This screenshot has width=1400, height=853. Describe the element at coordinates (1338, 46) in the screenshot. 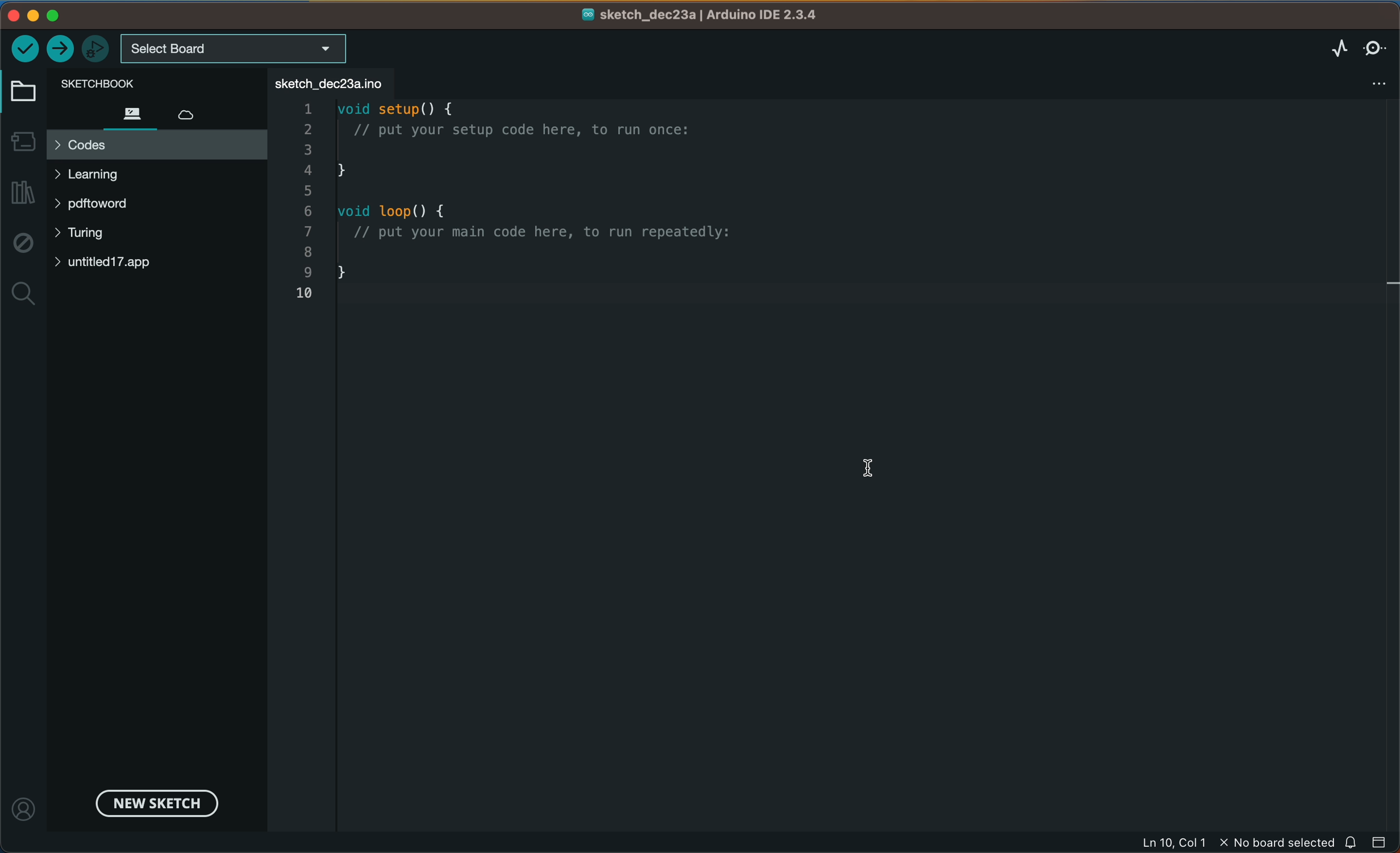

I see `serial plotter` at that location.